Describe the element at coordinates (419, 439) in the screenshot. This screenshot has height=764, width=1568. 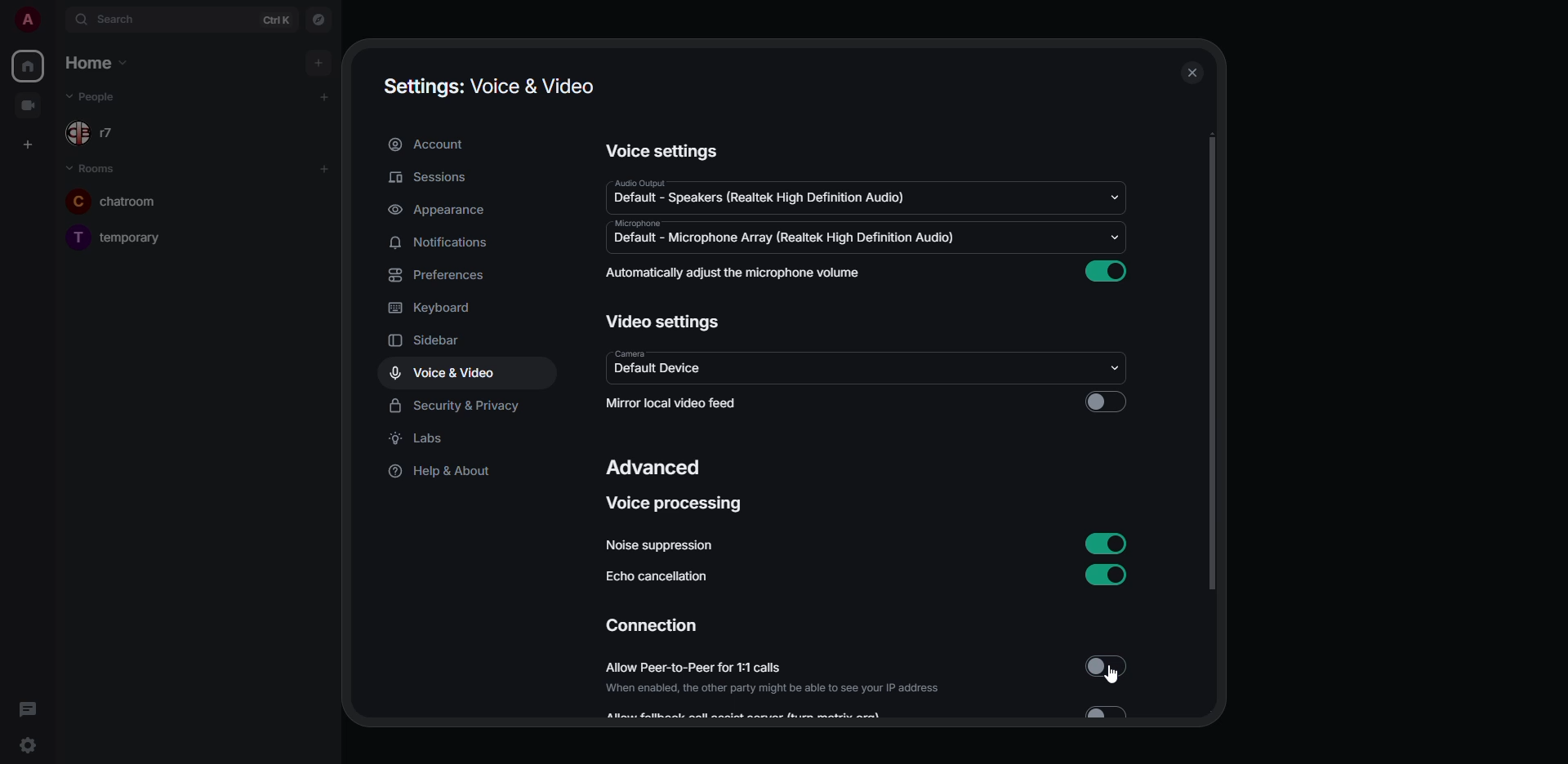
I see `labs` at that location.